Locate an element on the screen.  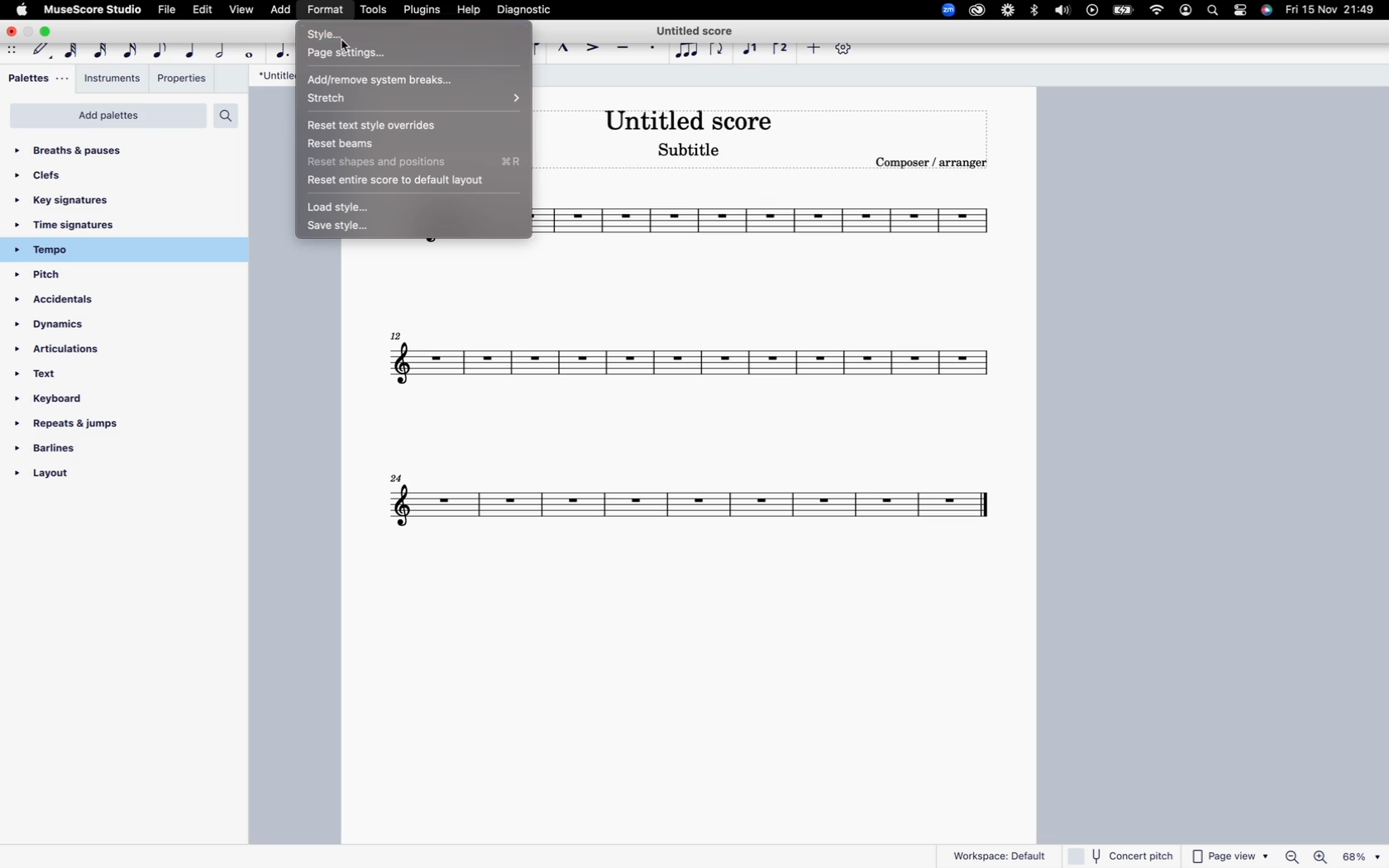
reset beams is located at coordinates (395, 144).